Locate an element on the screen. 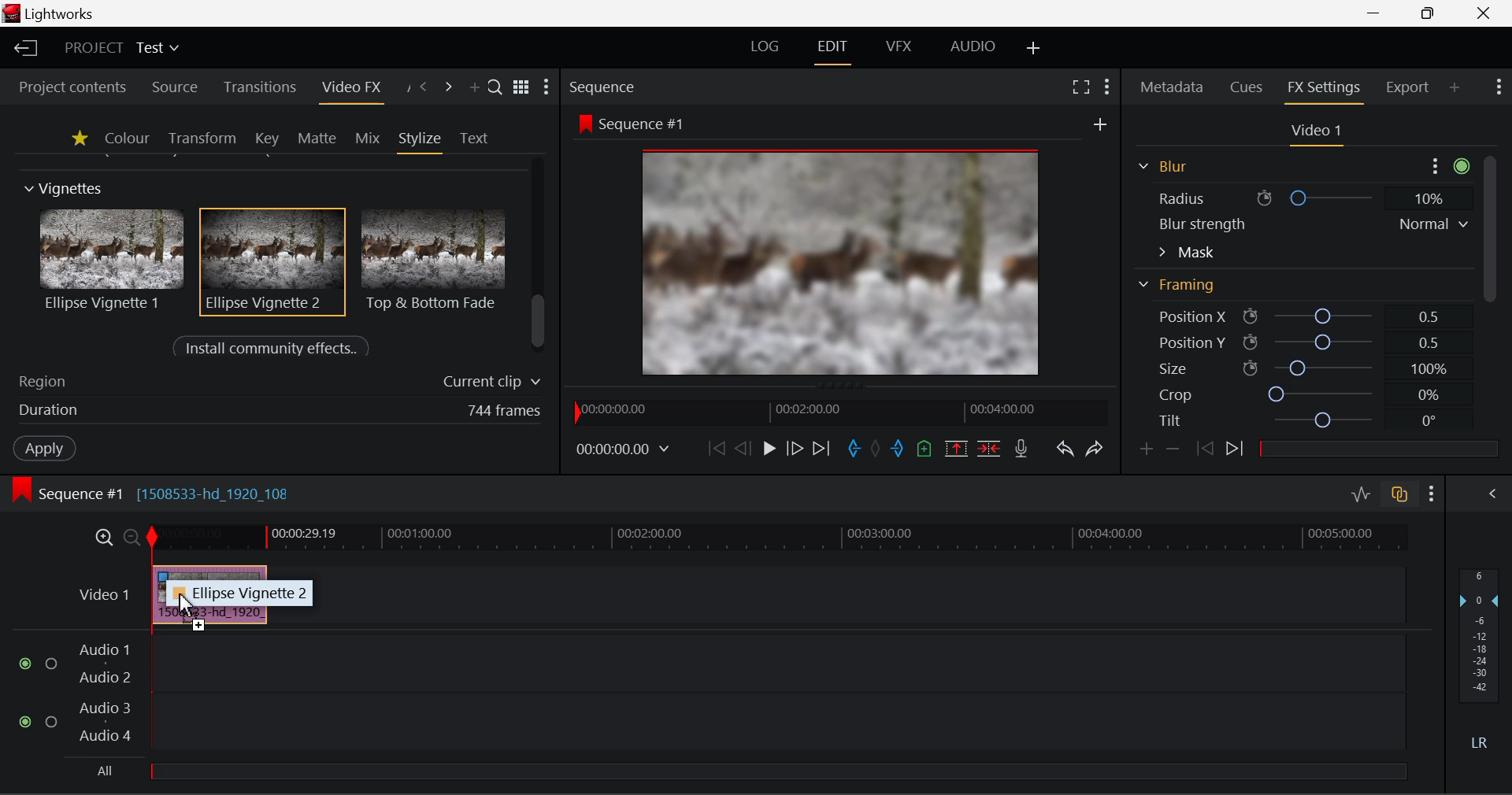 The height and width of the screenshot is (795, 1512). Vignettes Section is located at coordinates (65, 189).